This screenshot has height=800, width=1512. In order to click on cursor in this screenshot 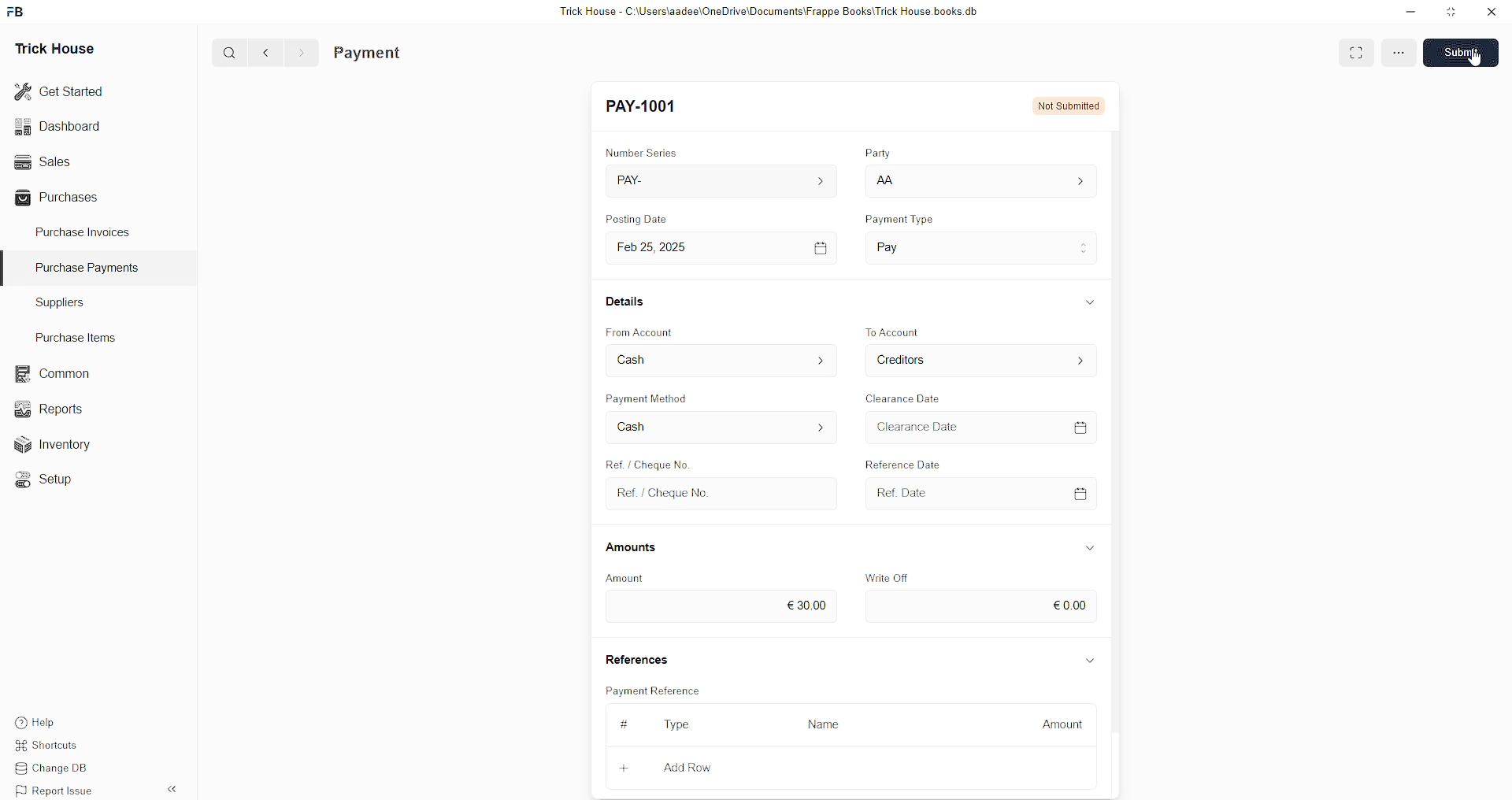, I will do `click(1474, 57)`.